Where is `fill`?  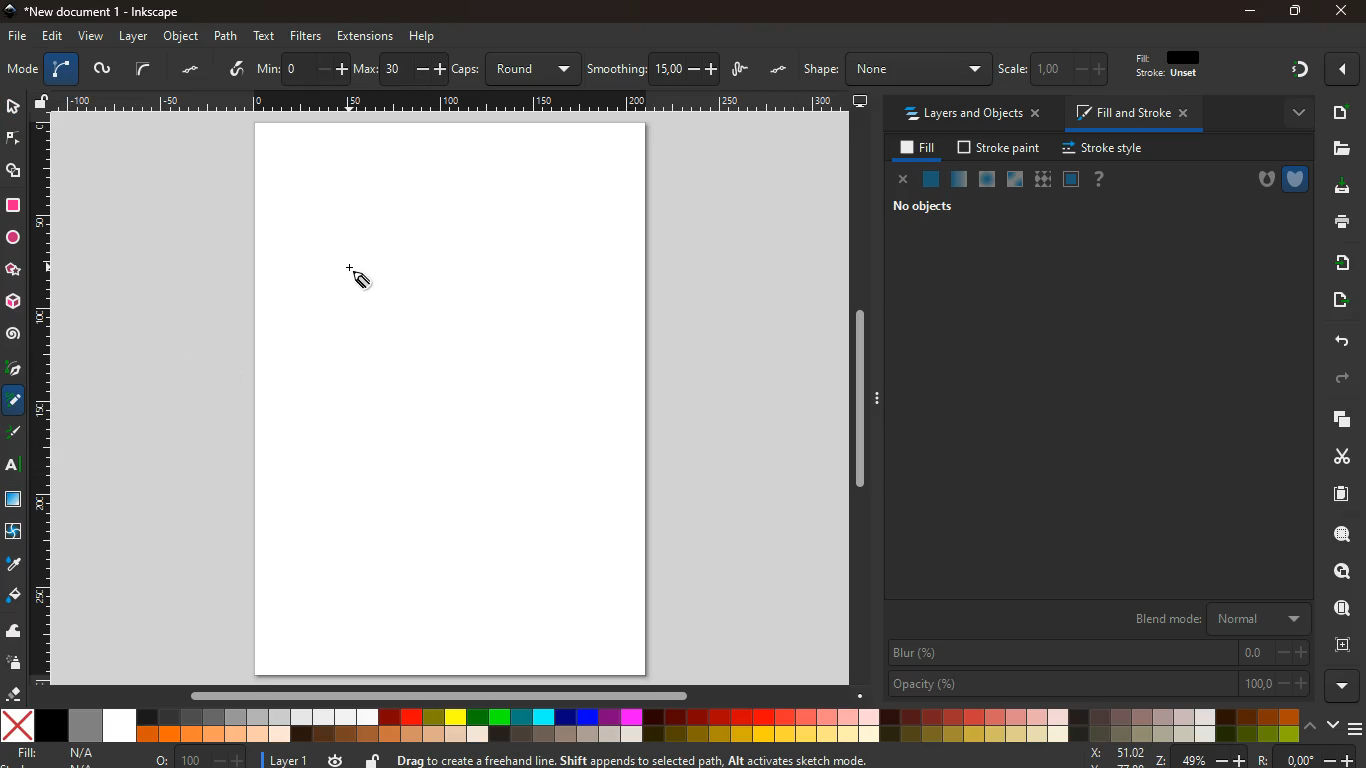 fill is located at coordinates (914, 148).